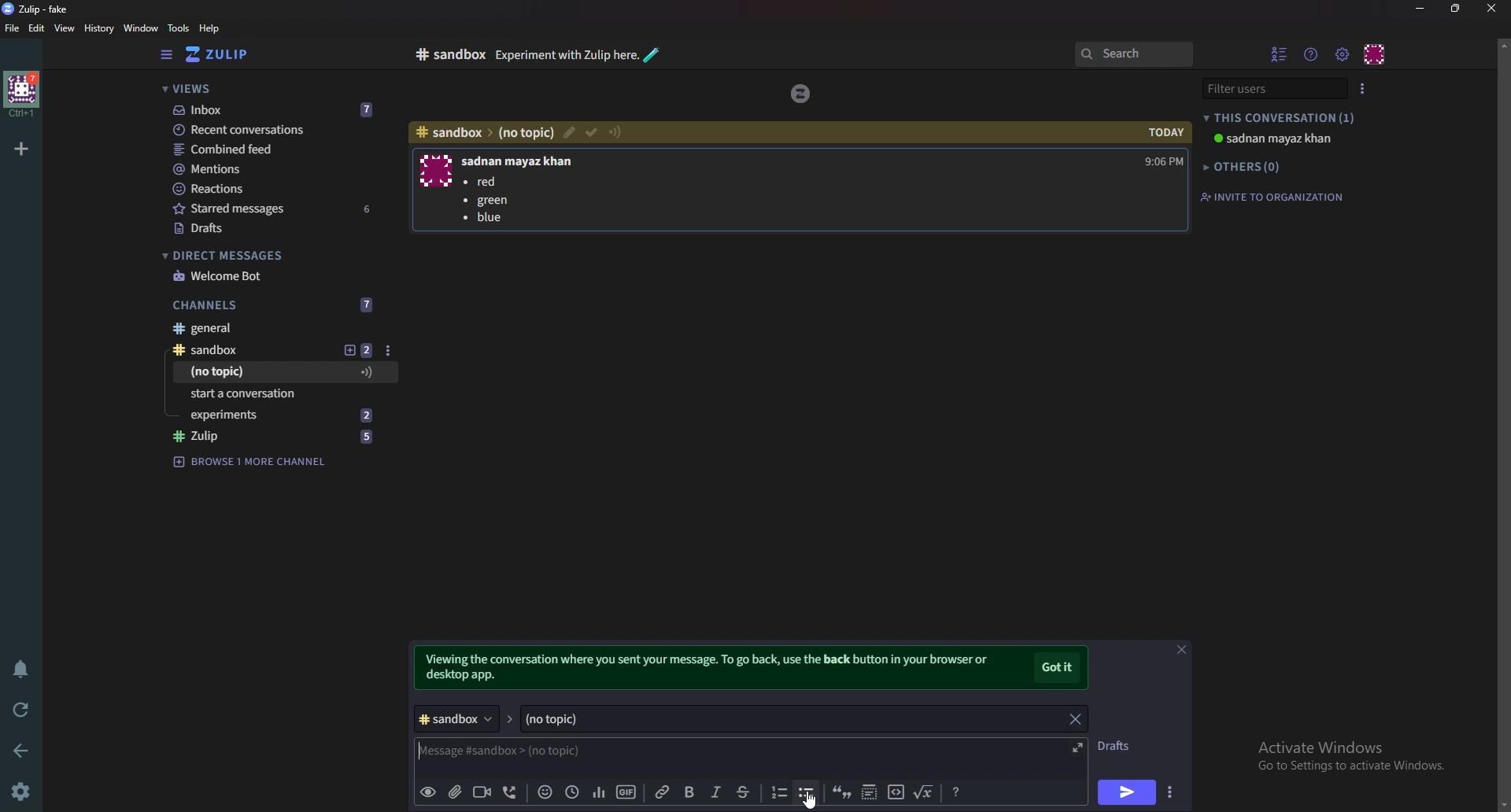 The height and width of the screenshot is (812, 1511). What do you see at coordinates (273, 276) in the screenshot?
I see `welcome bot` at bounding box center [273, 276].